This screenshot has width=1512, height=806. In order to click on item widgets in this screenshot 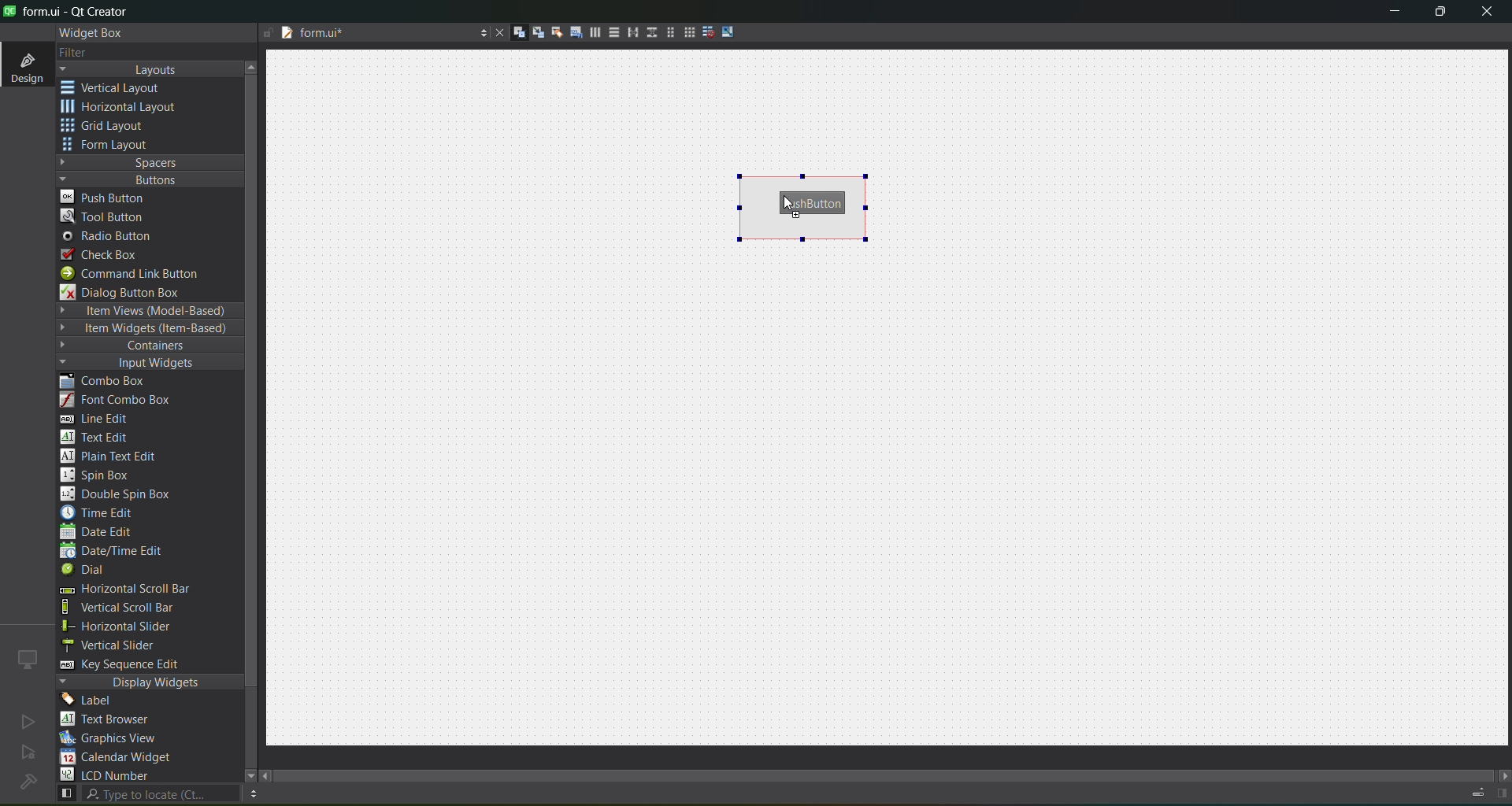, I will do `click(146, 329)`.